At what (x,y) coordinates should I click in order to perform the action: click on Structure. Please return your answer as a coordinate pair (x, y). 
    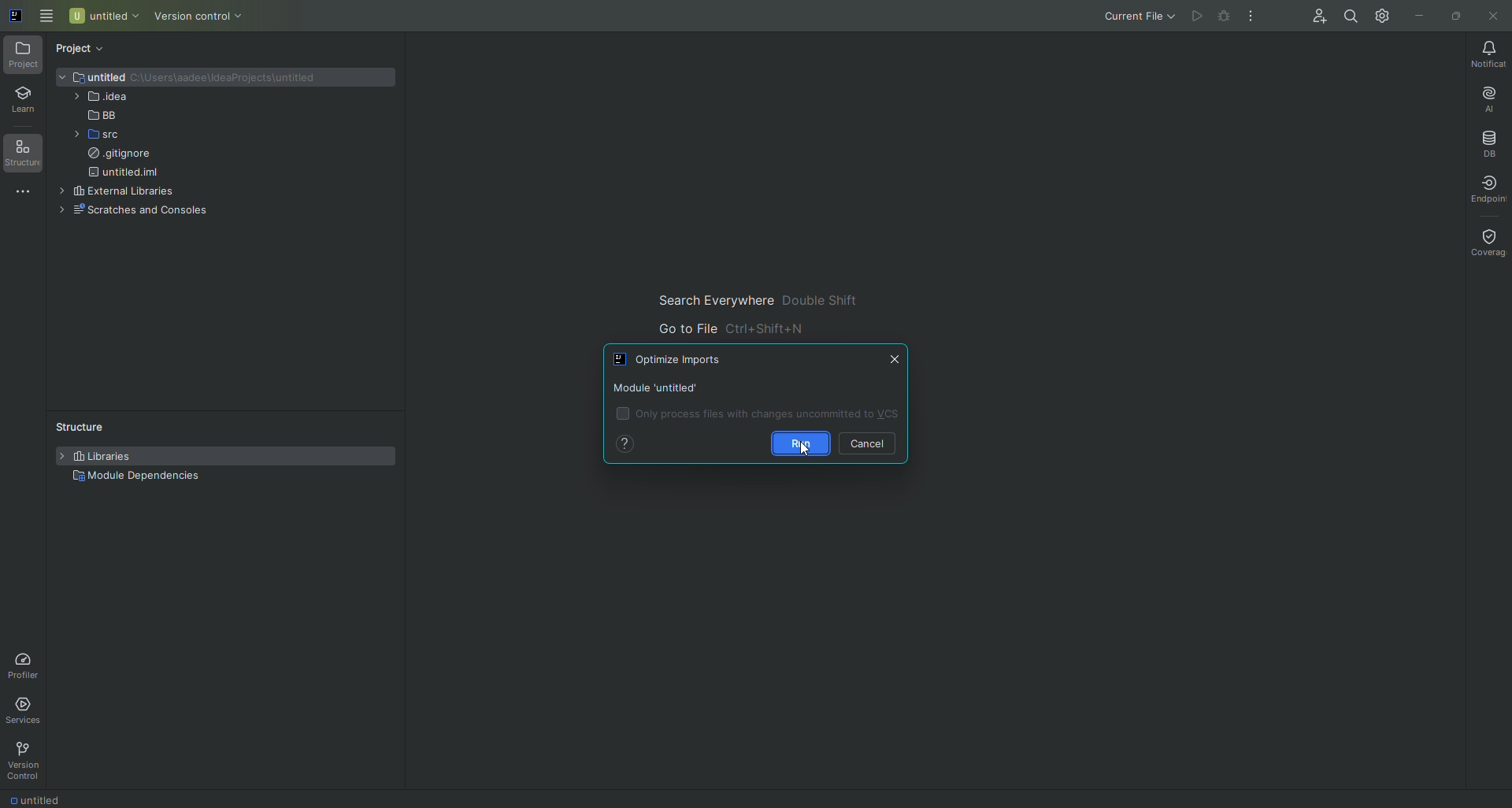
    Looking at the image, I should click on (23, 154).